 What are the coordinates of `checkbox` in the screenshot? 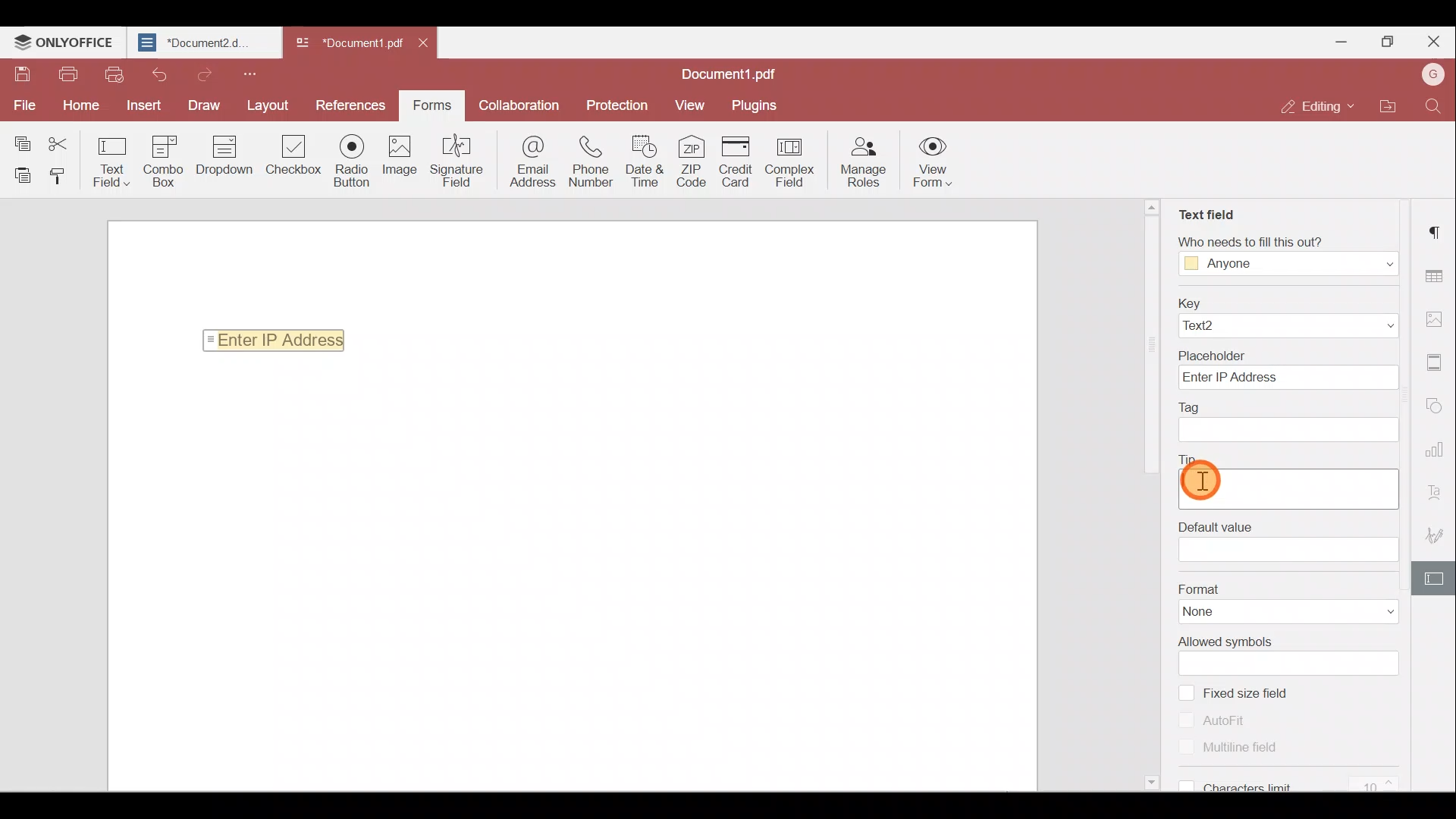 It's located at (1187, 719).